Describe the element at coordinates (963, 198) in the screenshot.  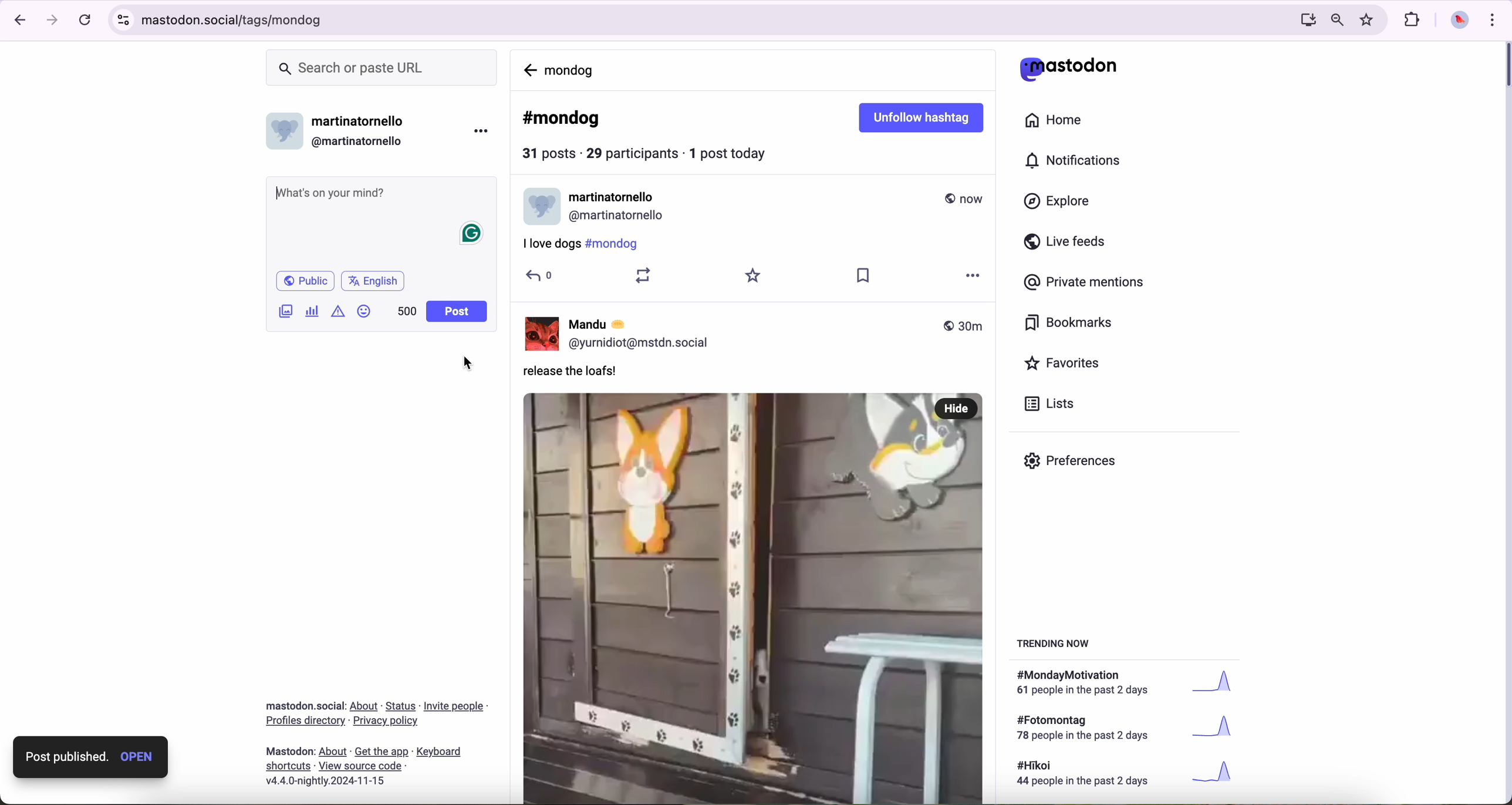
I see `published 30m ago` at that location.